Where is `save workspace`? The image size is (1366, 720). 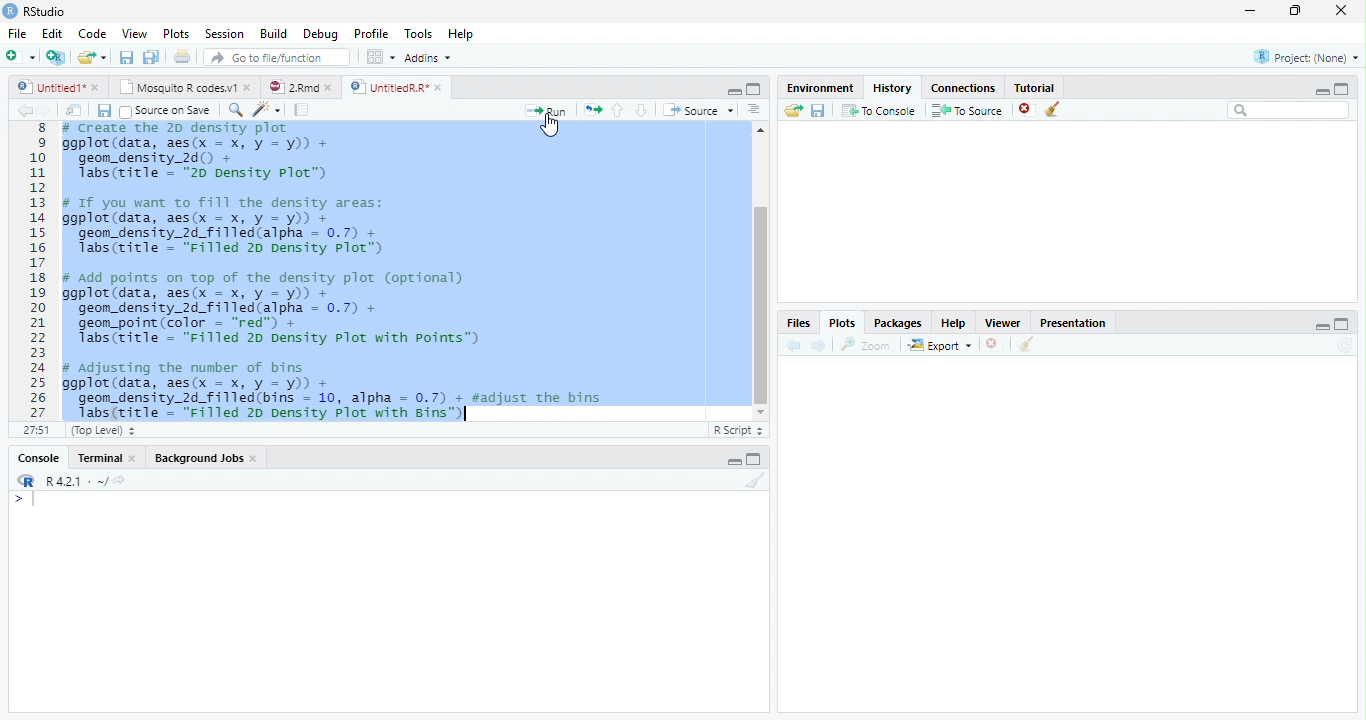
save workspace is located at coordinates (820, 111).